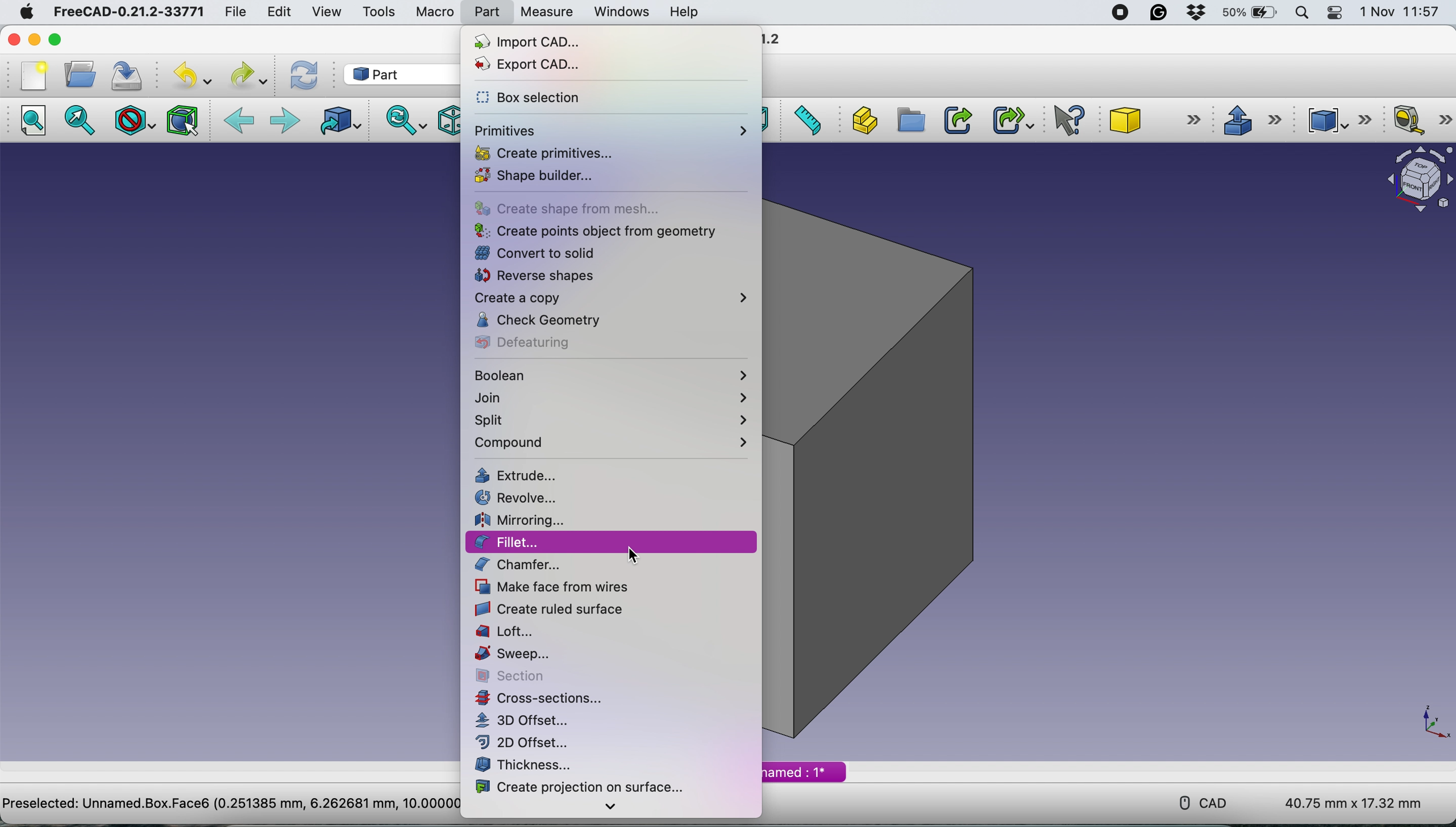  What do you see at coordinates (514, 675) in the screenshot?
I see `section` at bounding box center [514, 675].